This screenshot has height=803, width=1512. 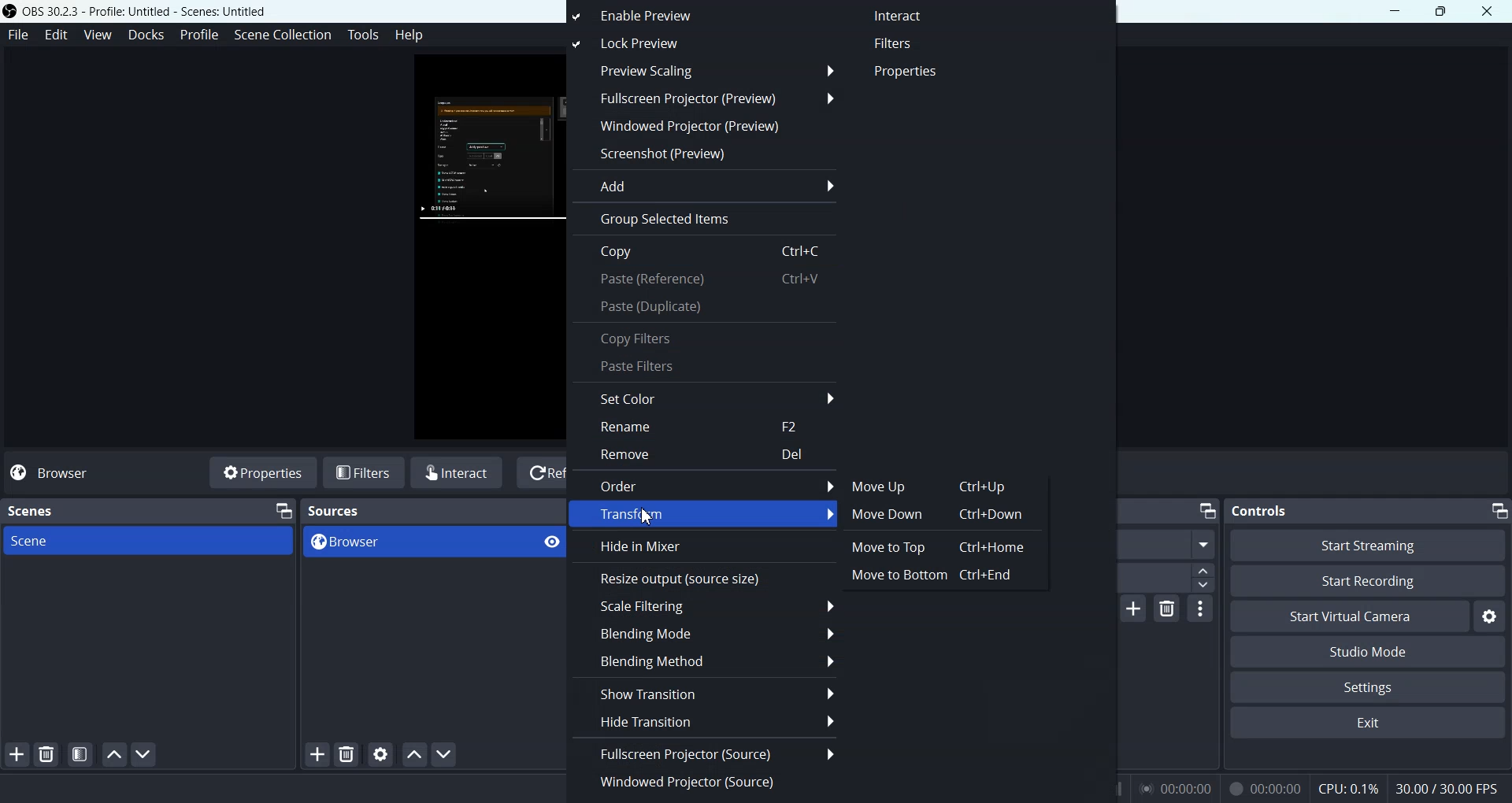 What do you see at coordinates (910, 43) in the screenshot?
I see `Filters` at bounding box center [910, 43].